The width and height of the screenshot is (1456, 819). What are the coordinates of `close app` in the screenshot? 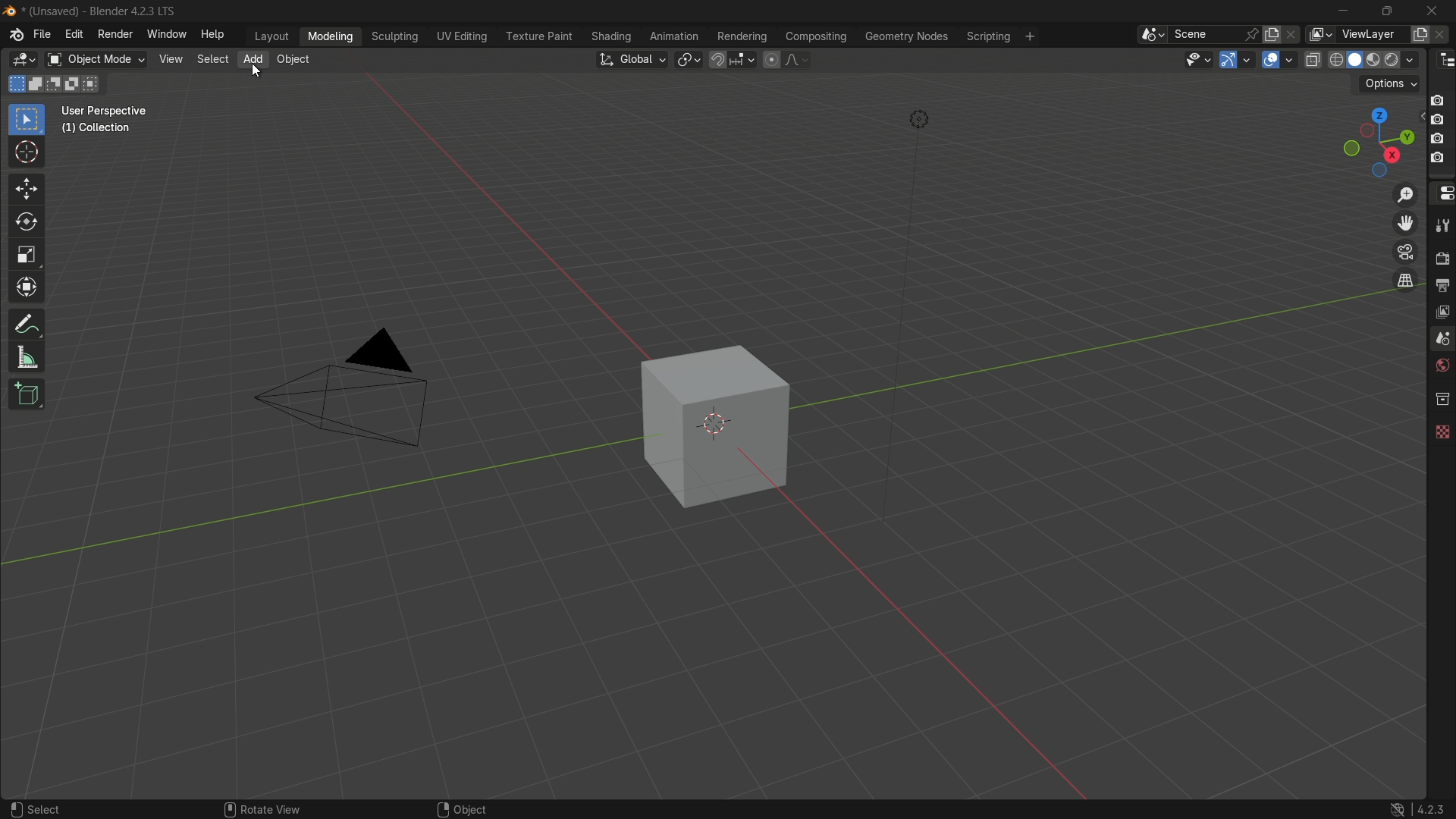 It's located at (1435, 11).